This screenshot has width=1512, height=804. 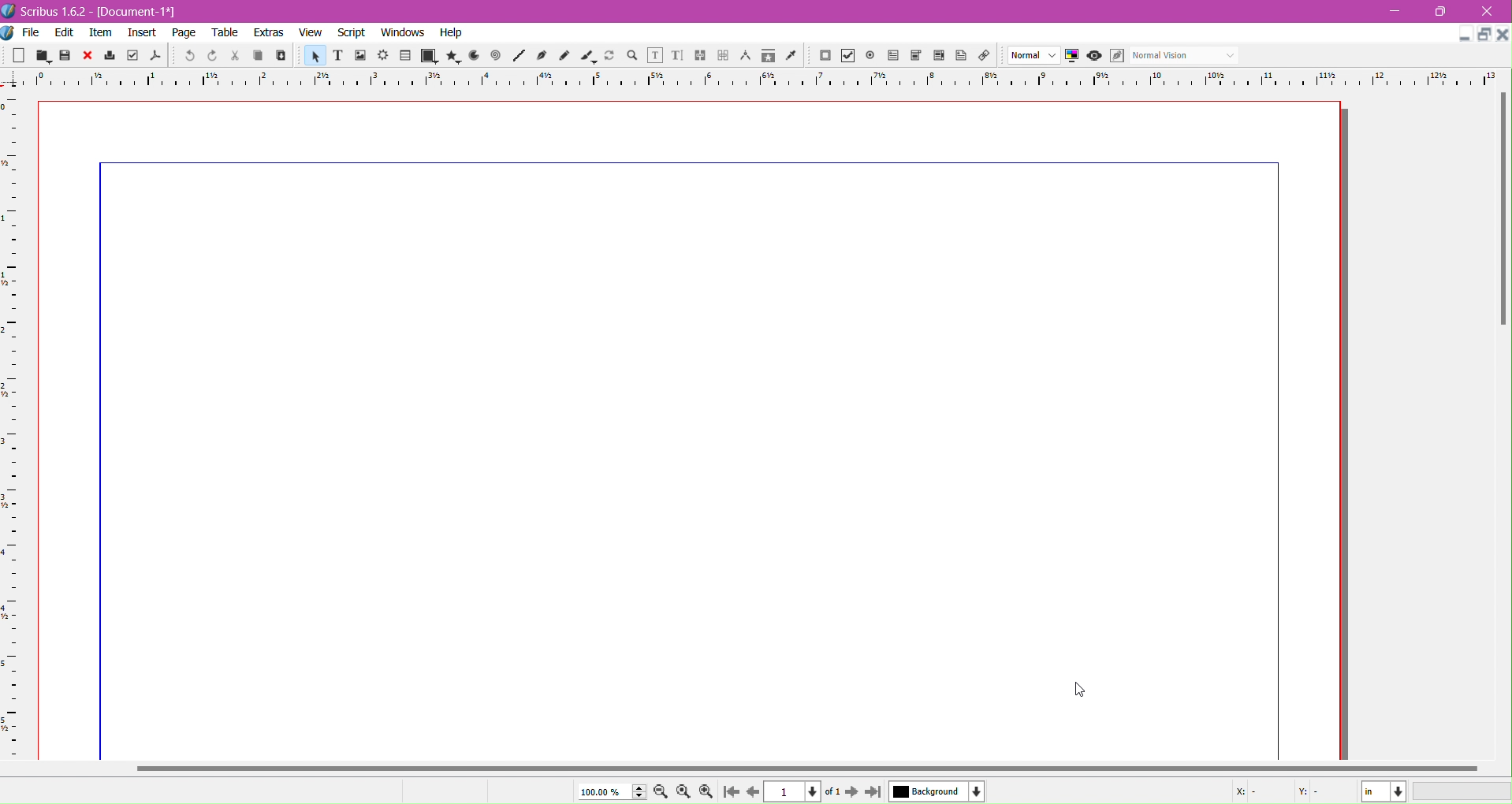 What do you see at coordinates (188, 57) in the screenshot?
I see `undo` at bounding box center [188, 57].